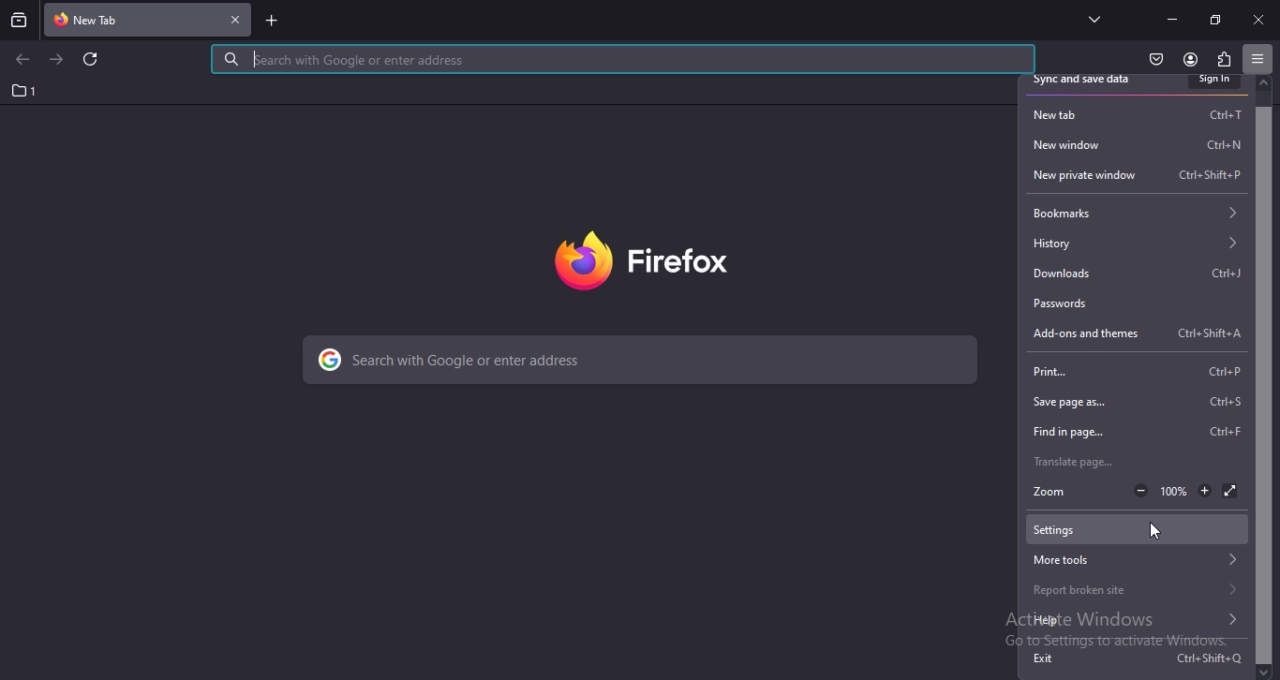  What do you see at coordinates (1127, 592) in the screenshot?
I see `report broken site` at bounding box center [1127, 592].